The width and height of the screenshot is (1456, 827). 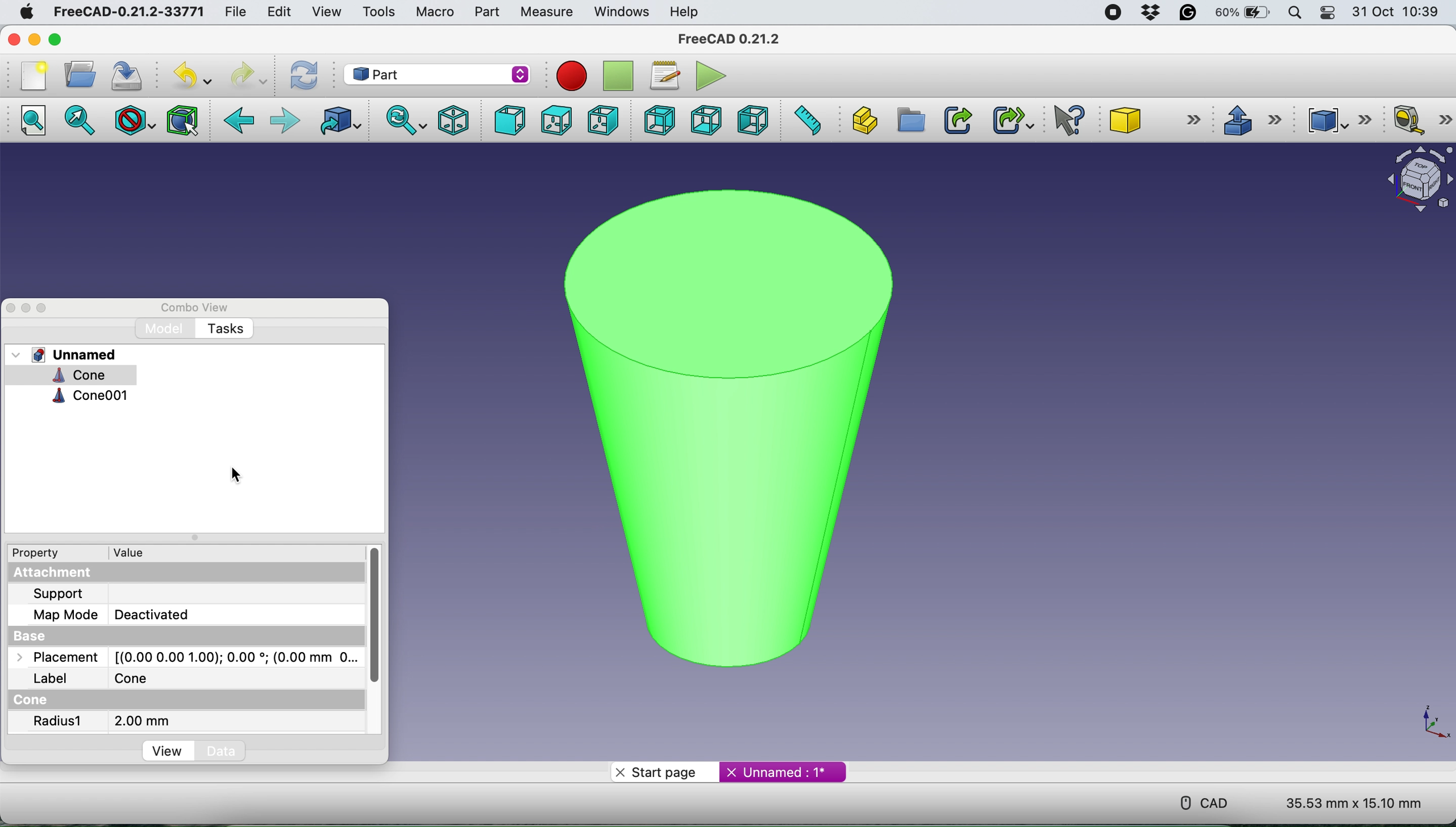 I want to click on redo, so click(x=247, y=75).